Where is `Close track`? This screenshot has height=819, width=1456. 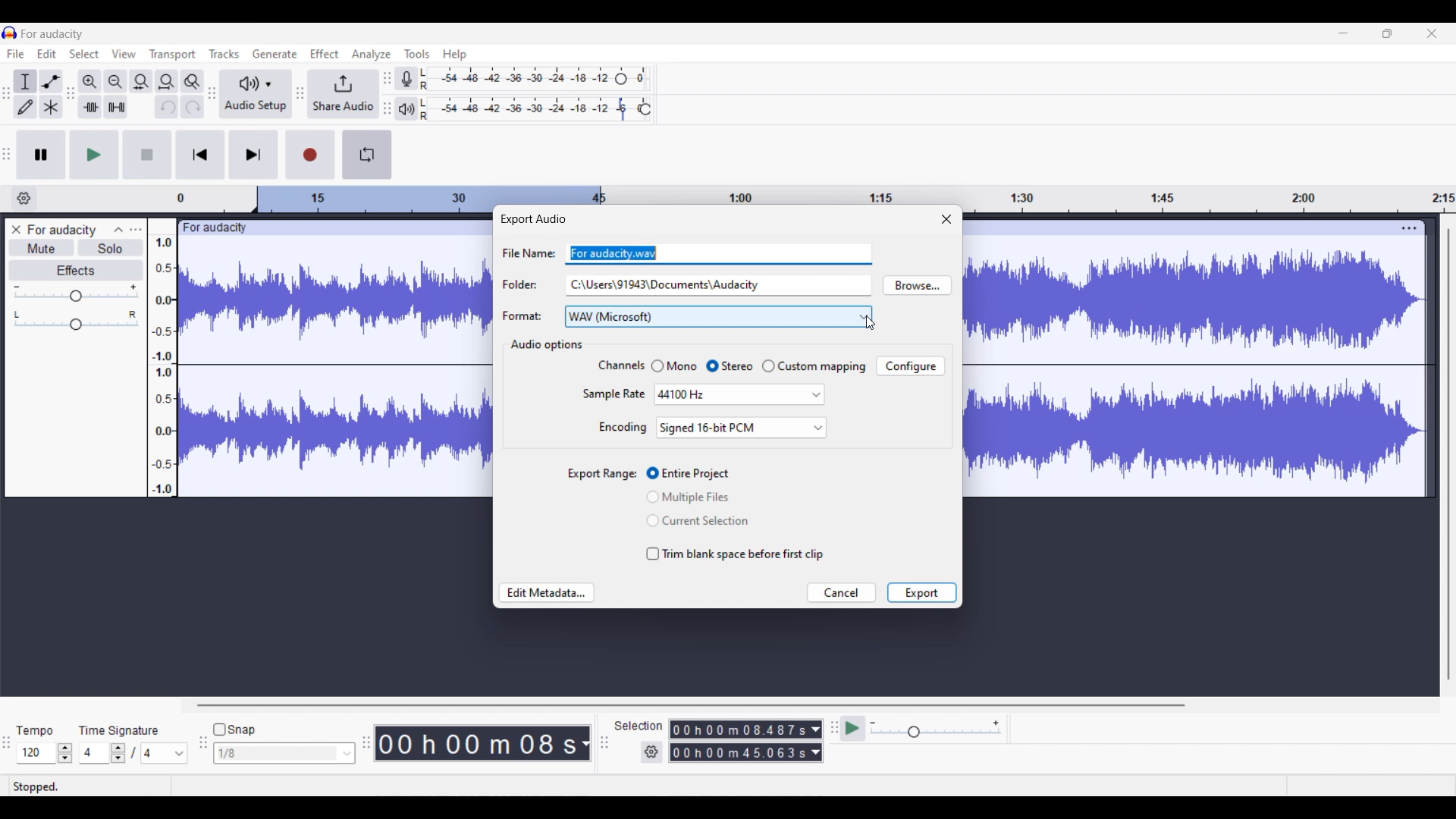 Close track is located at coordinates (17, 229).